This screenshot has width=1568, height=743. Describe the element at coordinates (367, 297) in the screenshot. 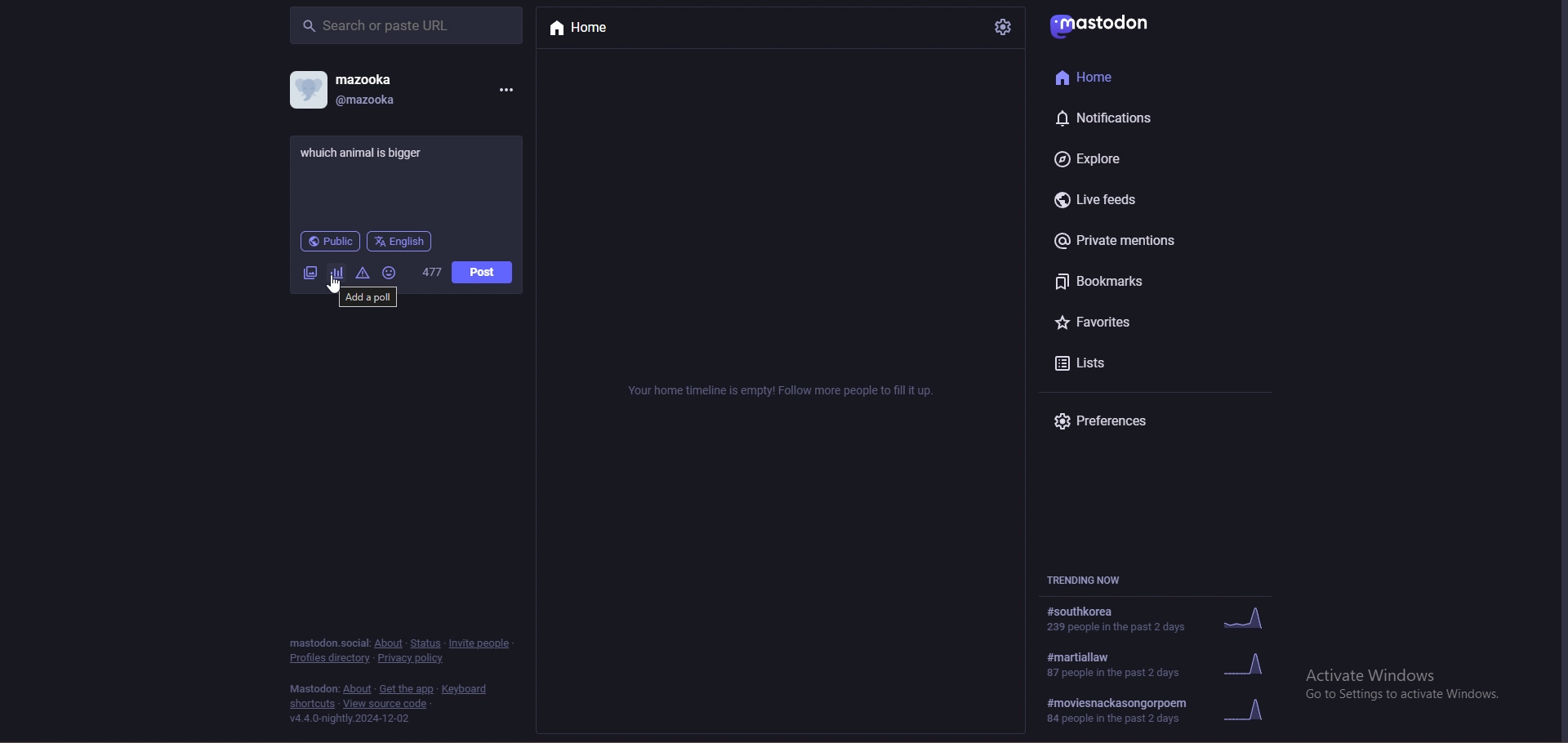

I see `tooltip` at that location.